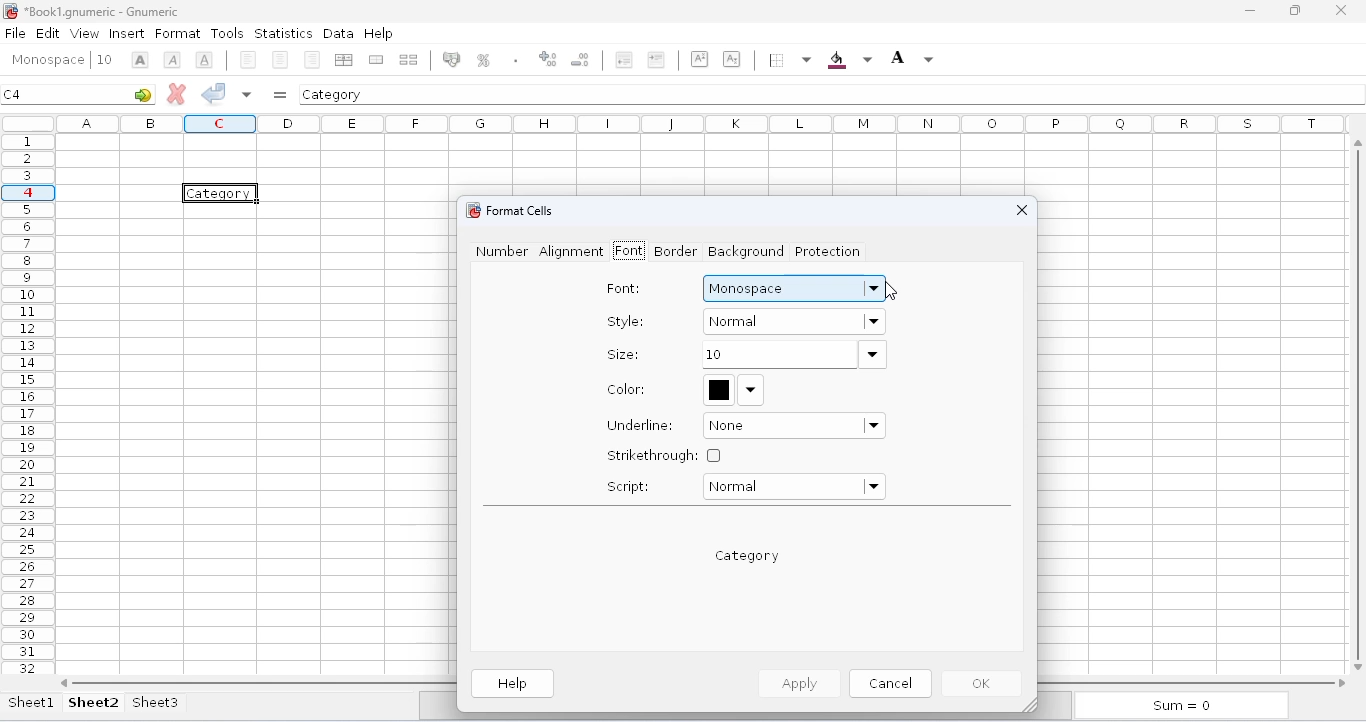  What do you see at coordinates (548, 59) in the screenshot?
I see `increase the number of decimals displayed` at bounding box center [548, 59].